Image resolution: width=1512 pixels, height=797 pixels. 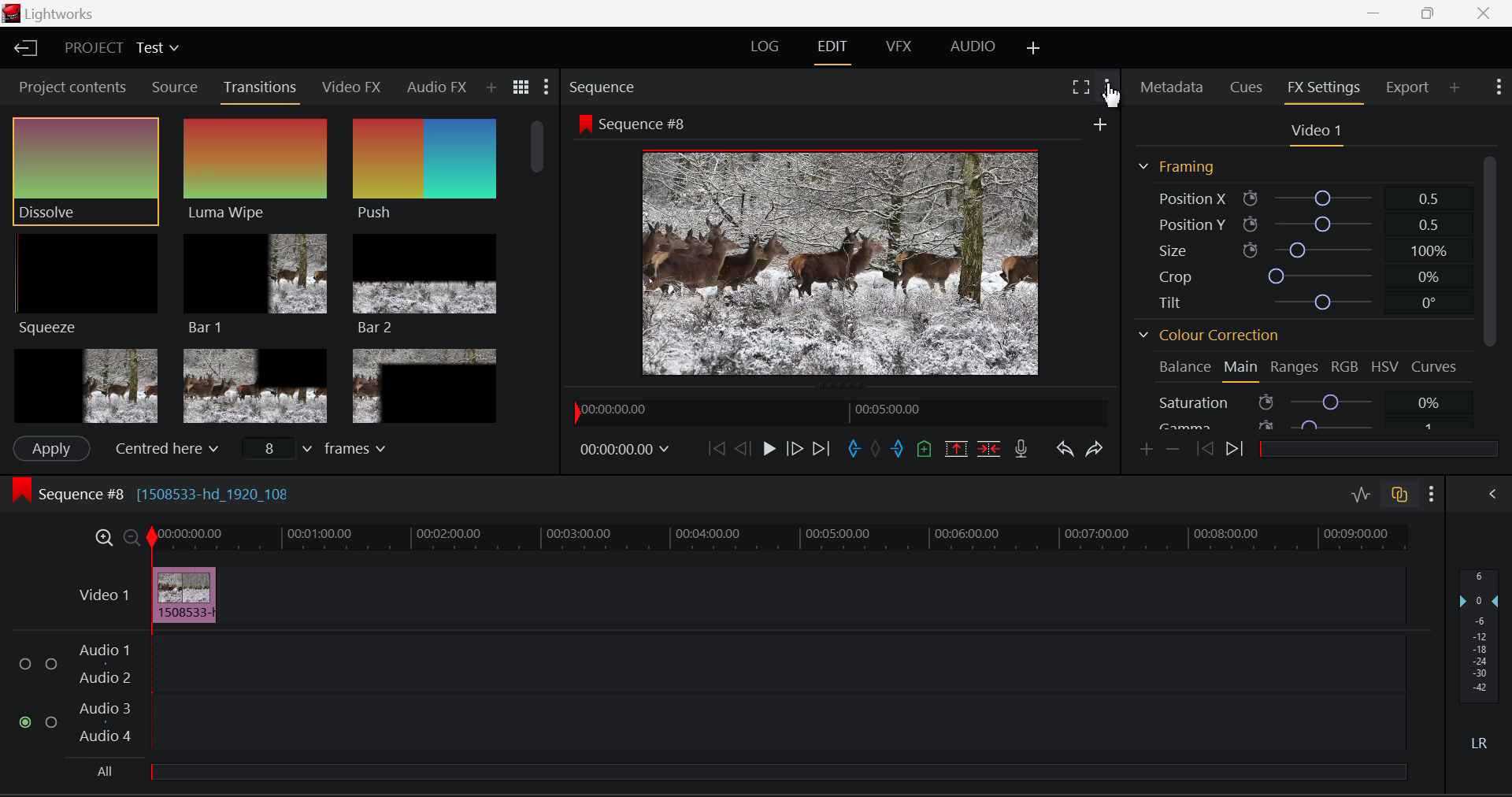 I want to click on Record Voiceover, so click(x=1021, y=449).